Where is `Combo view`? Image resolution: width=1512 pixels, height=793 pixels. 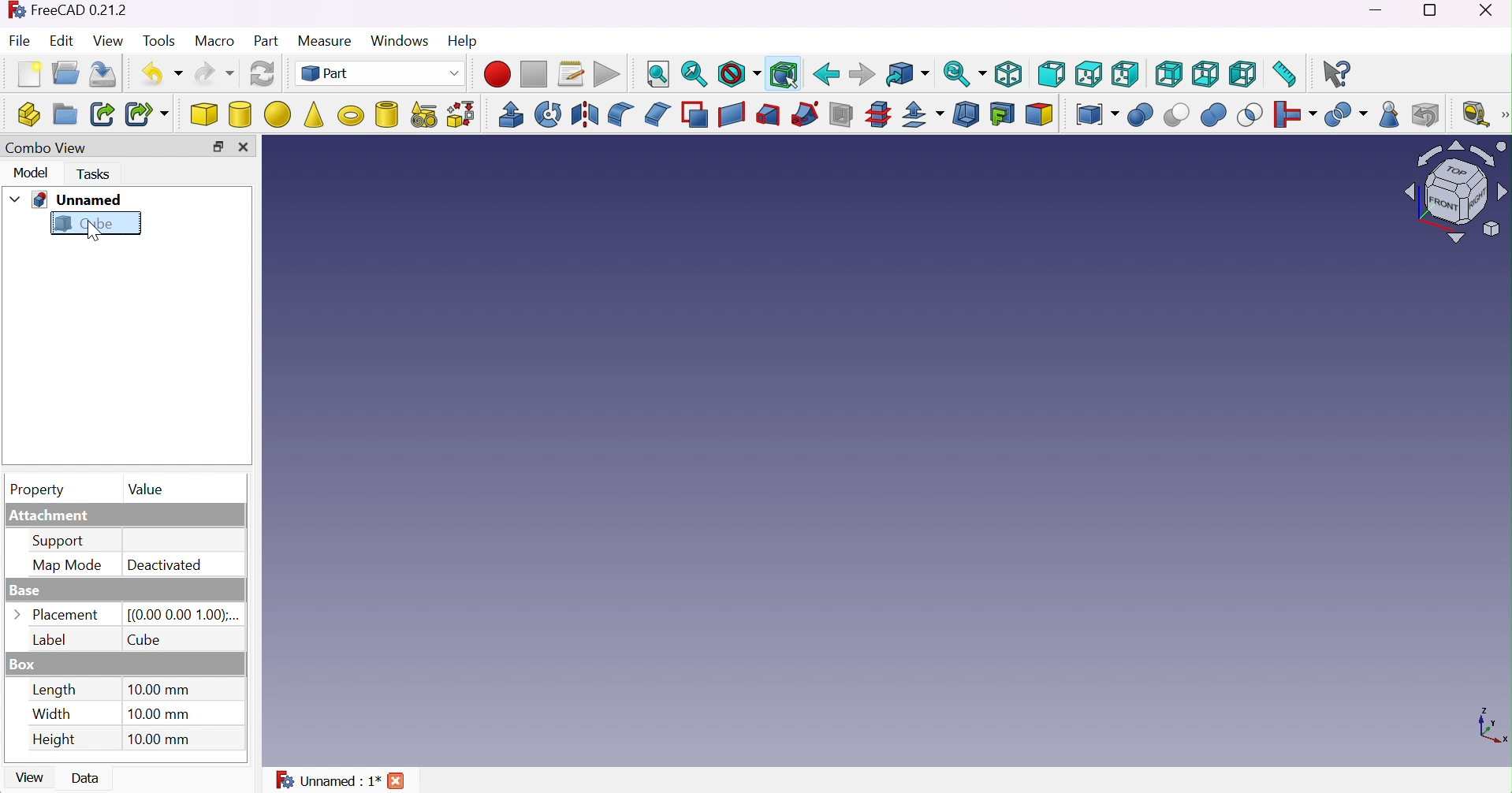
Combo view is located at coordinates (43, 147).